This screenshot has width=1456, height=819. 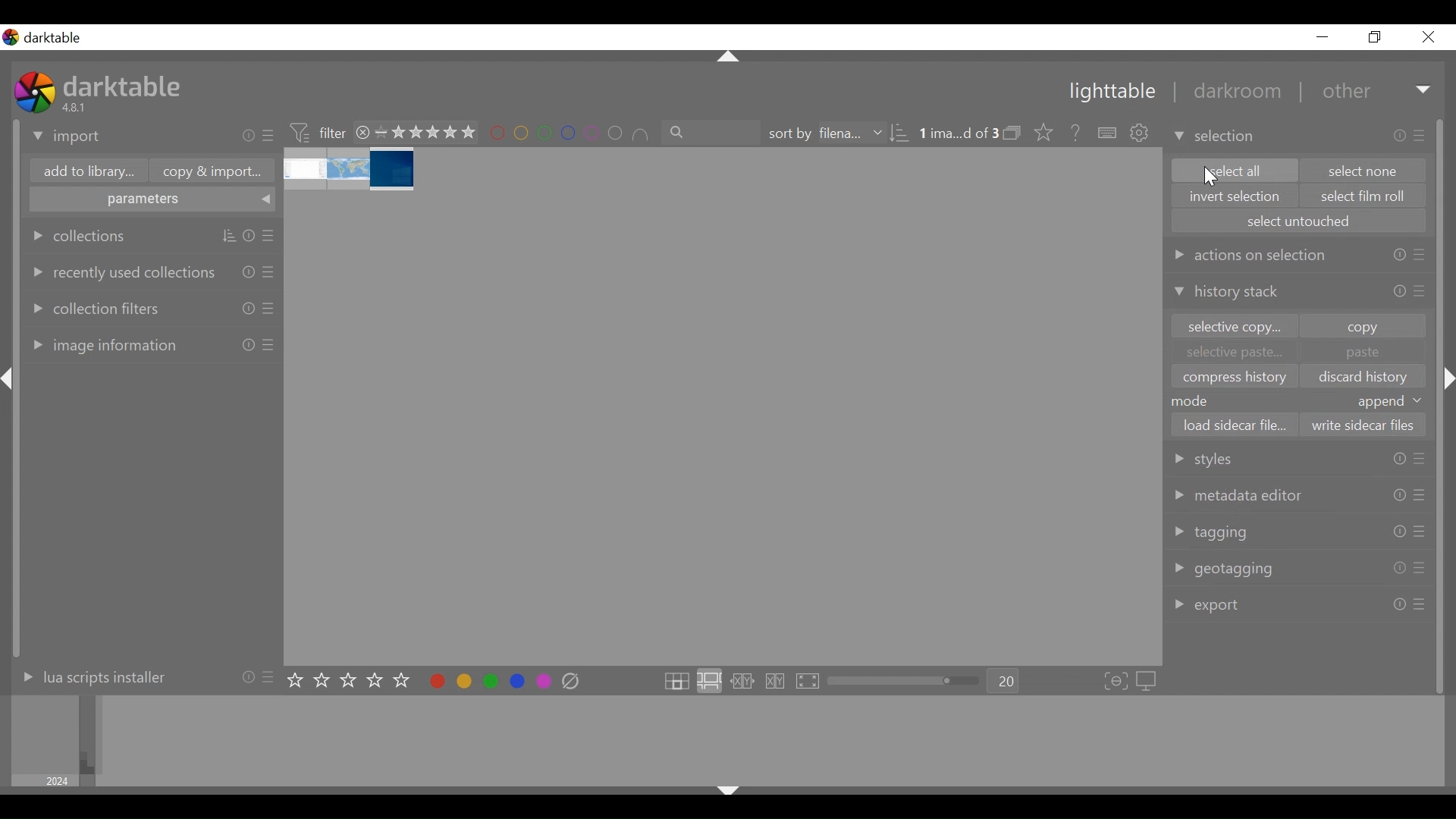 I want to click on darkroom, so click(x=1231, y=93).